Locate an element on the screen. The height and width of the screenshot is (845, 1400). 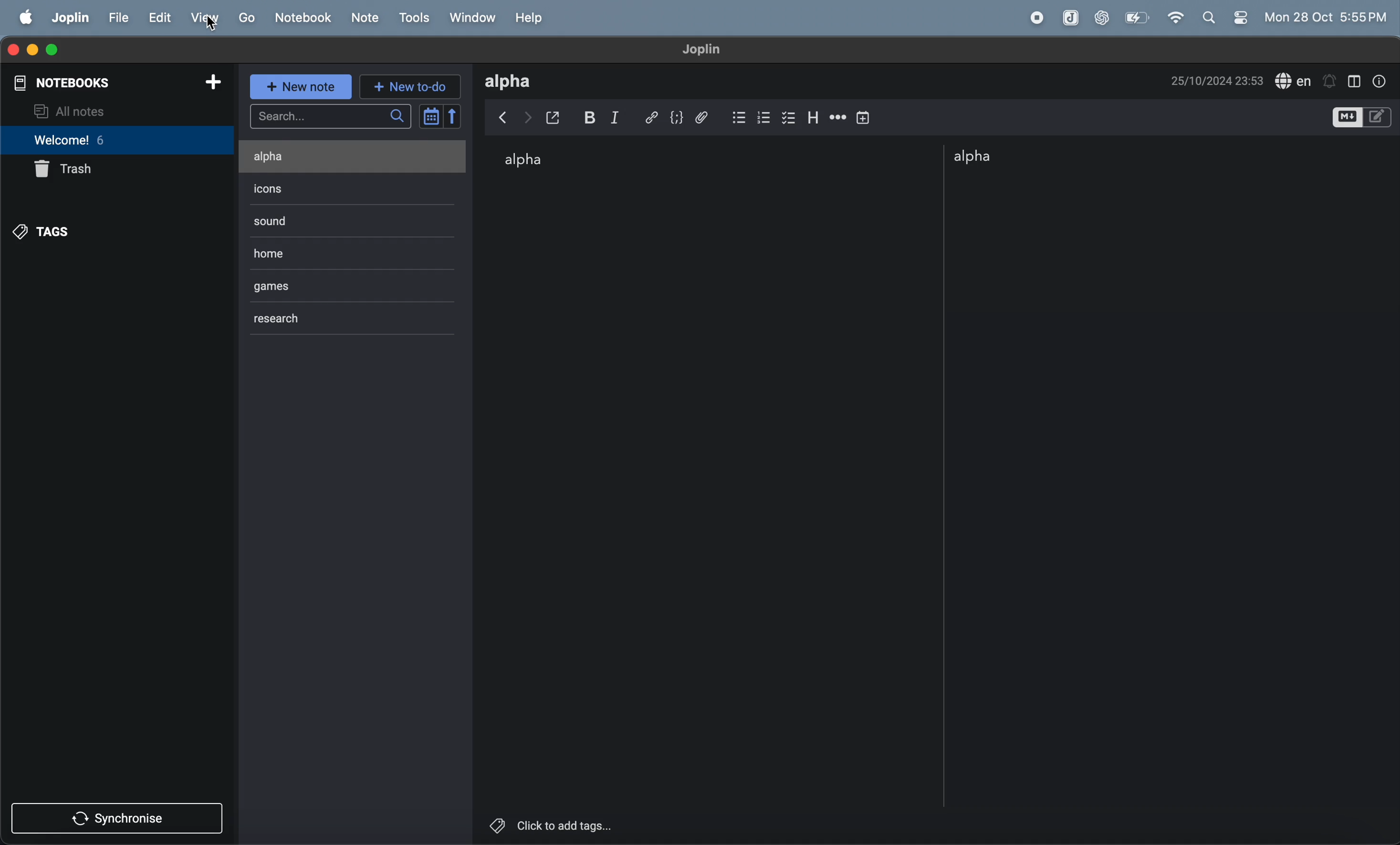
add time is located at coordinates (864, 116).